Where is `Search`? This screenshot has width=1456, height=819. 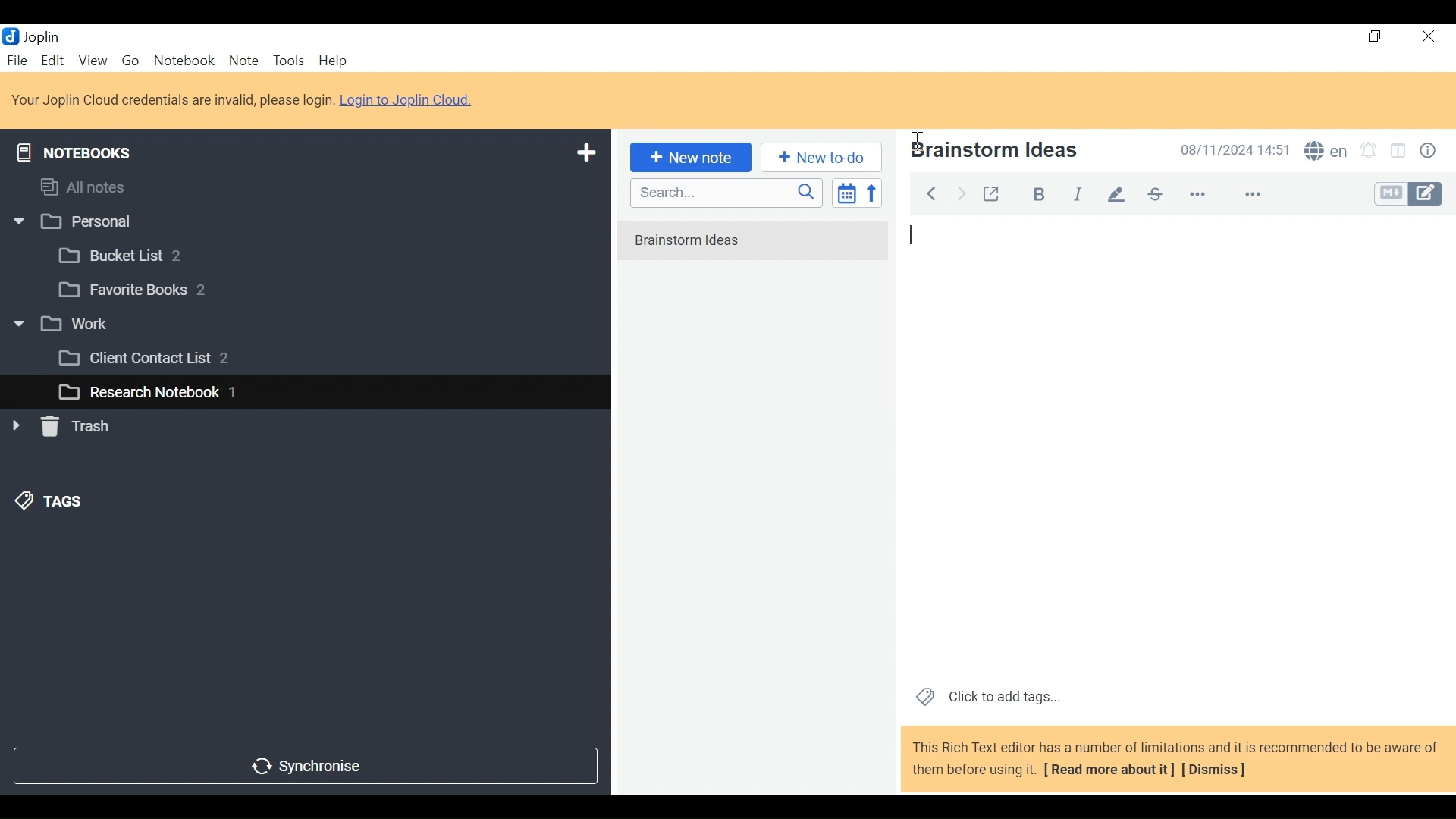 Search is located at coordinates (724, 193).